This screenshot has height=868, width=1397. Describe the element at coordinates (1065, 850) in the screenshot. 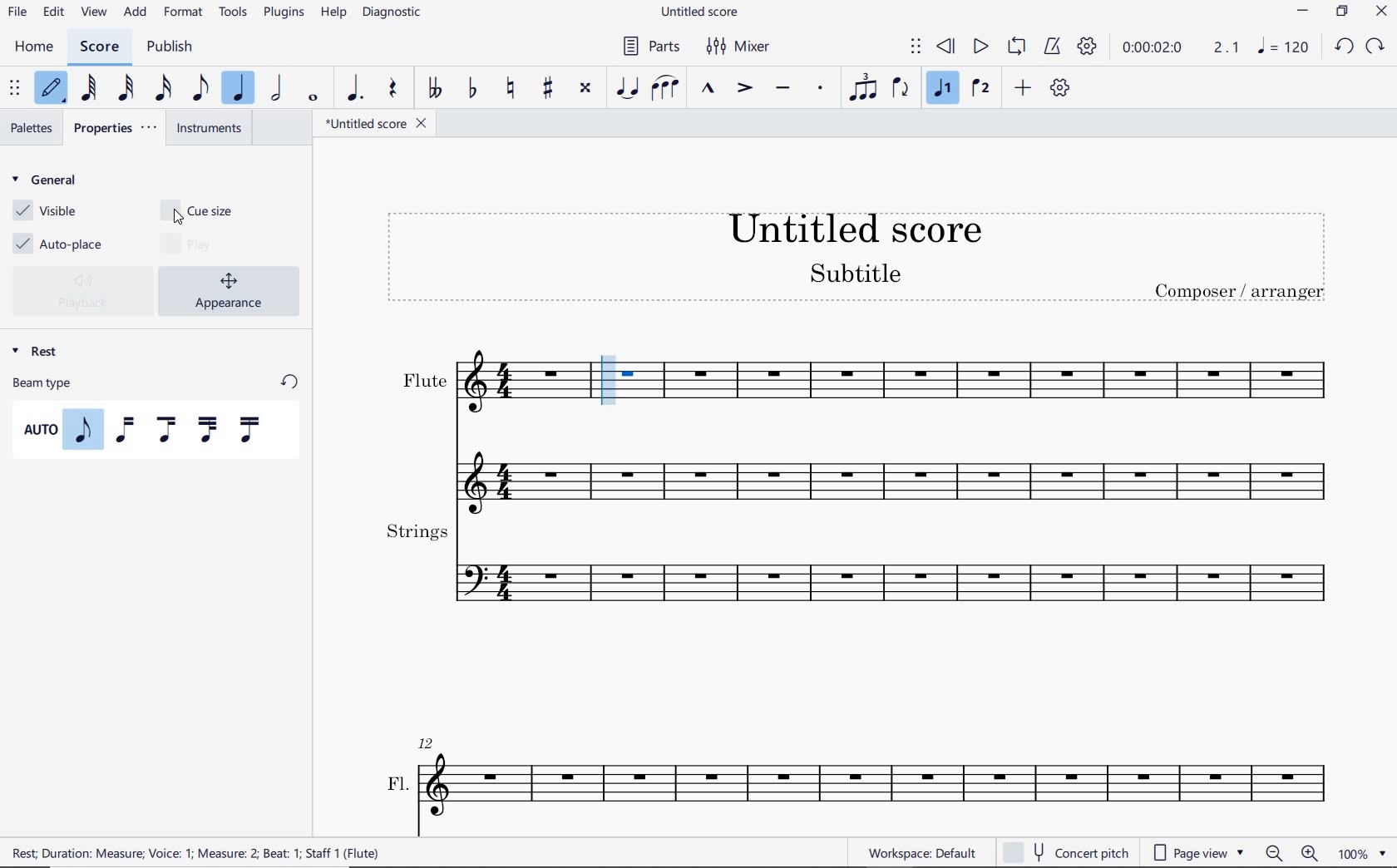

I see `concert pitch` at that location.